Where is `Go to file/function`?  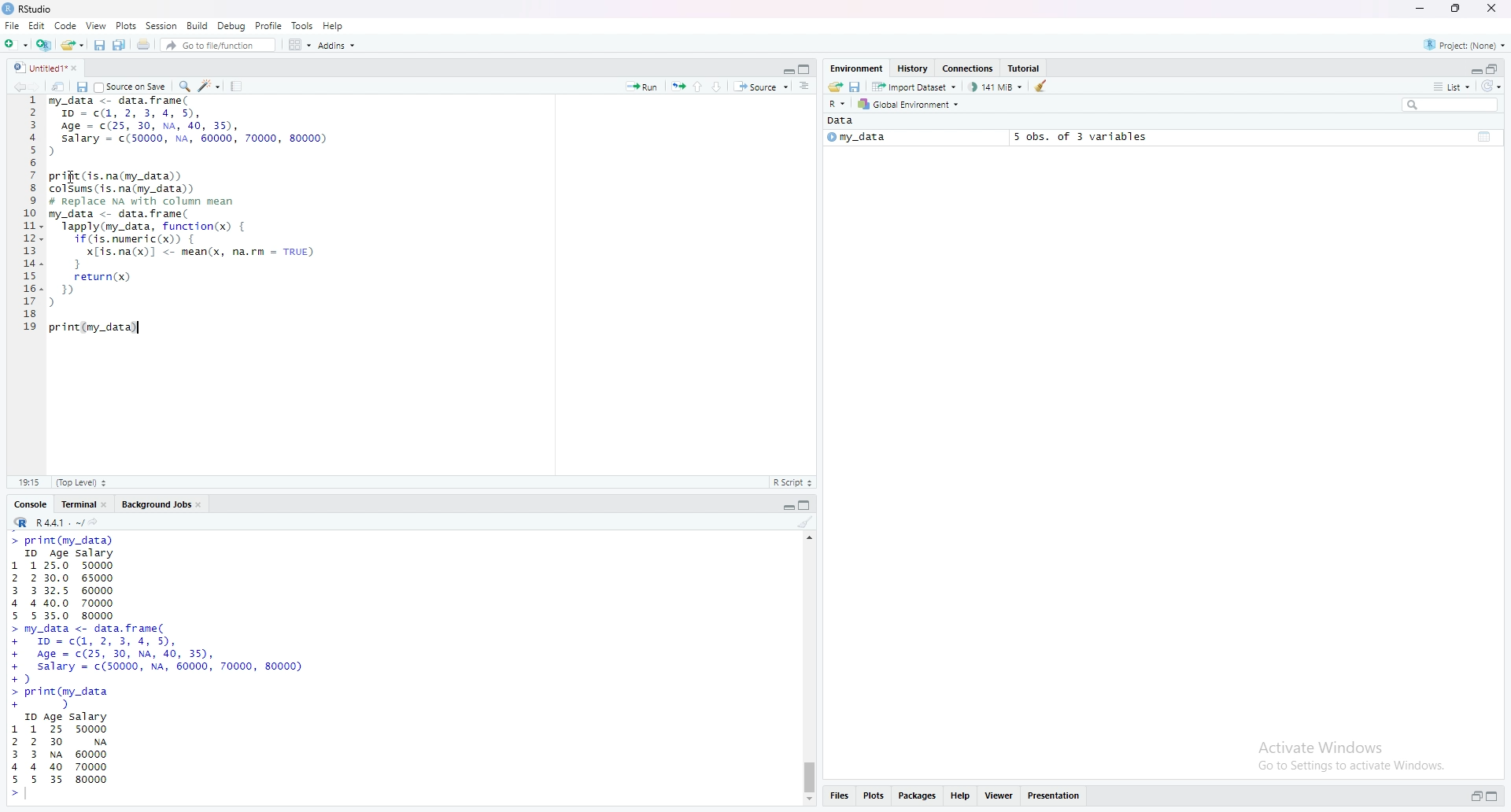
Go to file/function is located at coordinates (219, 46).